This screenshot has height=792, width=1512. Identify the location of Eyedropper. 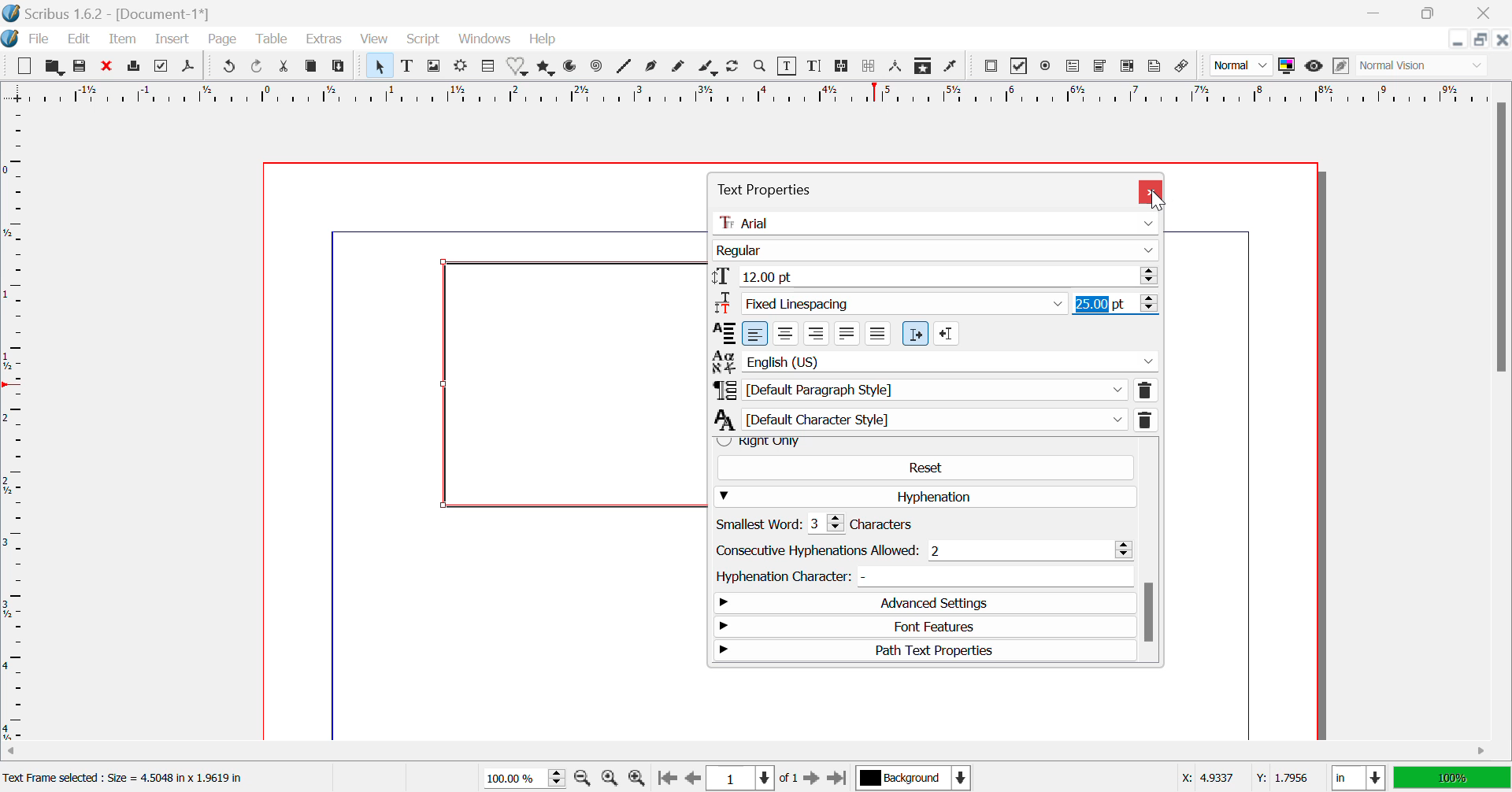
(953, 65).